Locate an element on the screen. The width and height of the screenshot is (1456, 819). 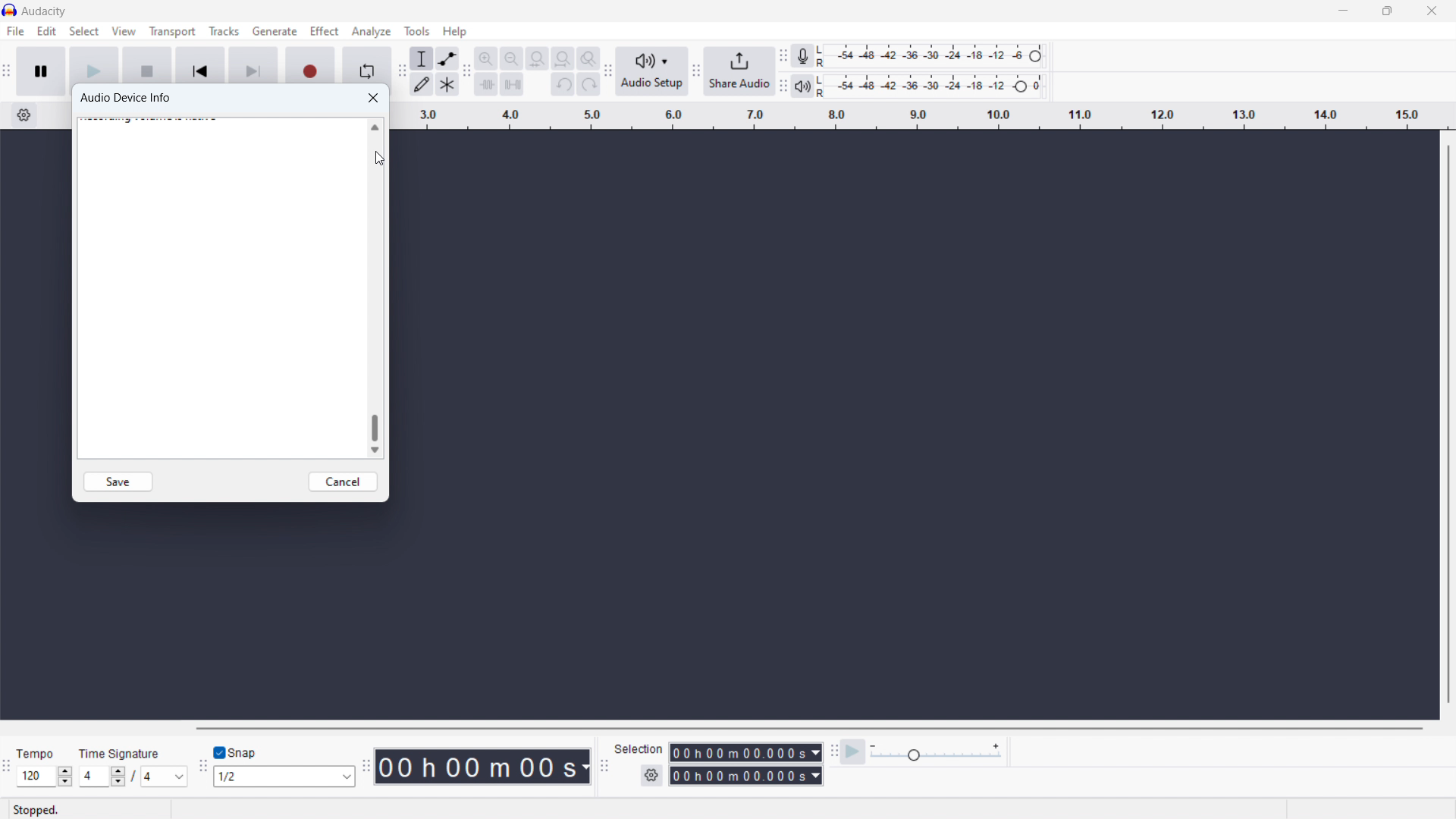
settings is located at coordinates (651, 775).